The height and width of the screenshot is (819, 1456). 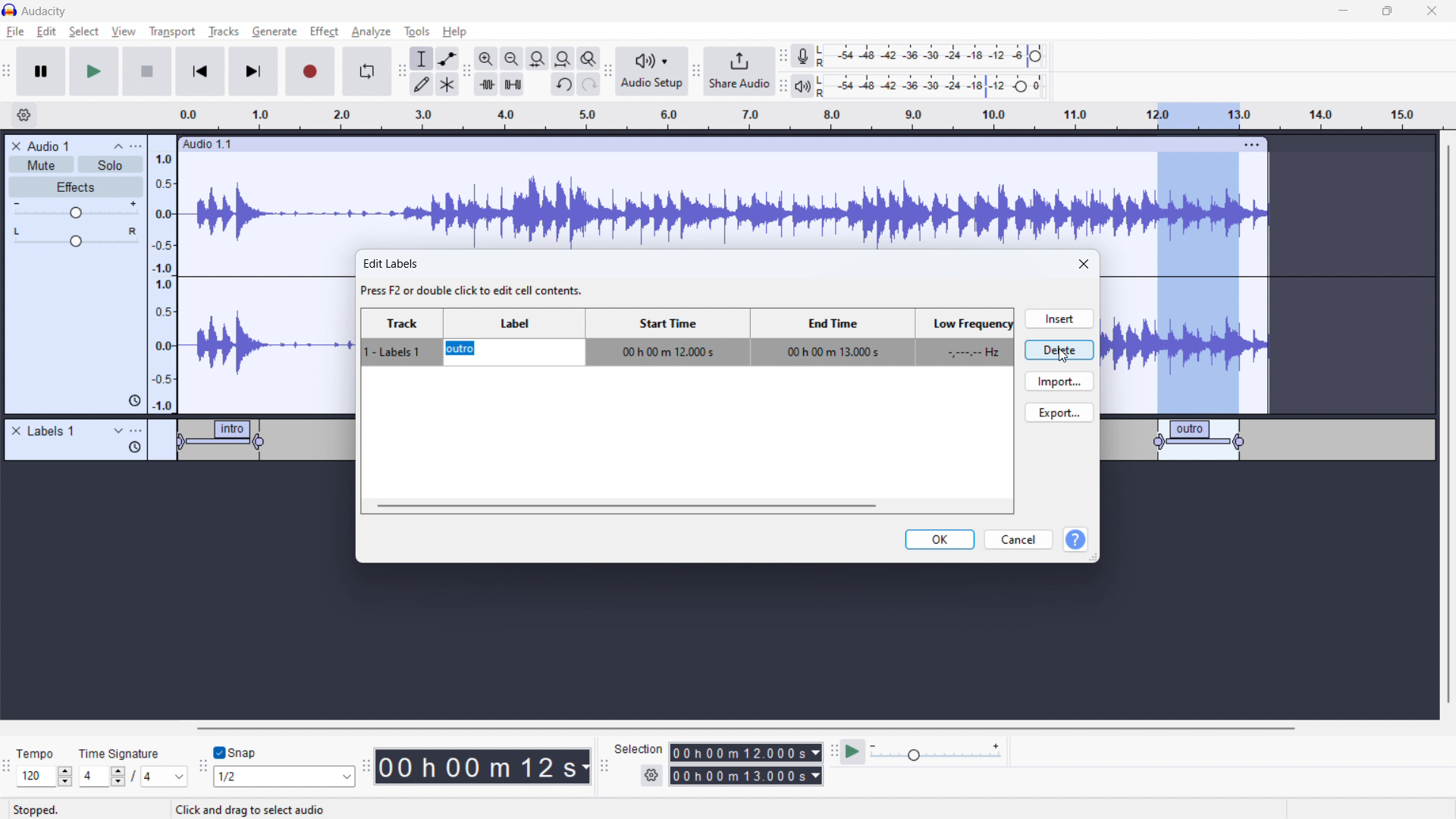 What do you see at coordinates (16, 32) in the screenshot?
I see `file` at bounding box center [16, 32].